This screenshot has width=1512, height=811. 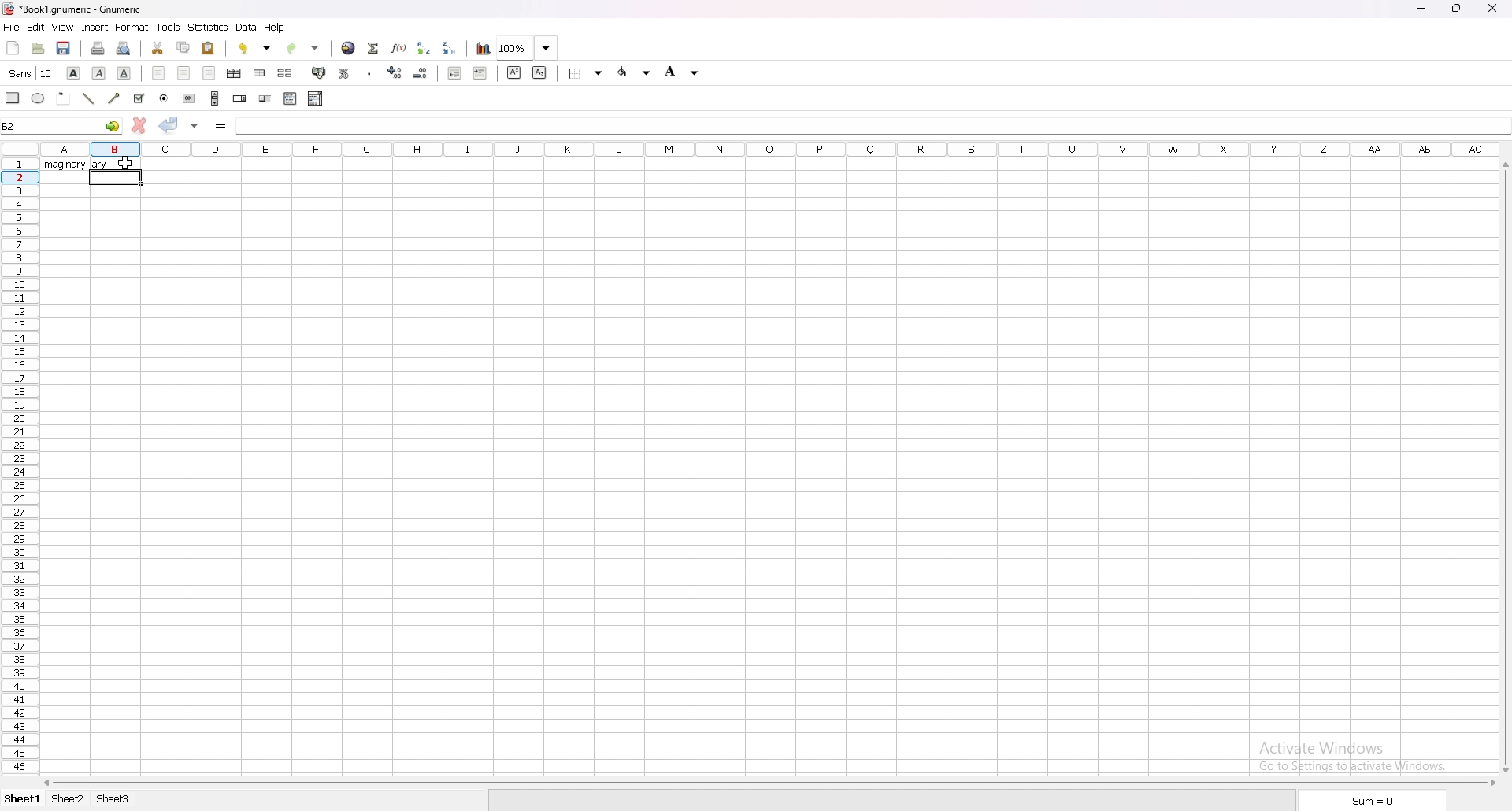 I want to click on radio button, so click(x=165, y=98).